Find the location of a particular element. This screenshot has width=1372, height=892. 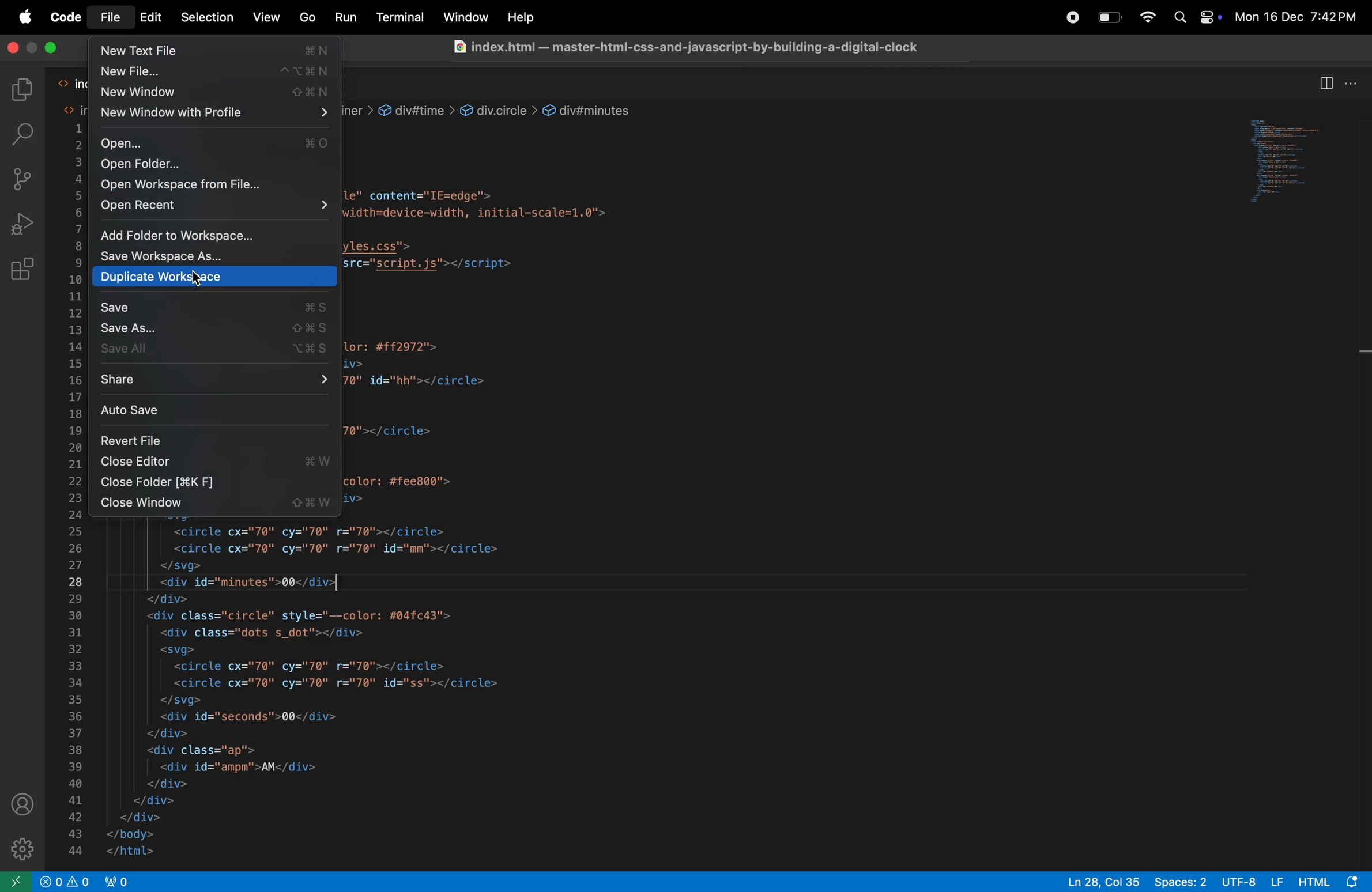

battery is located at coordinates (1109, 17).